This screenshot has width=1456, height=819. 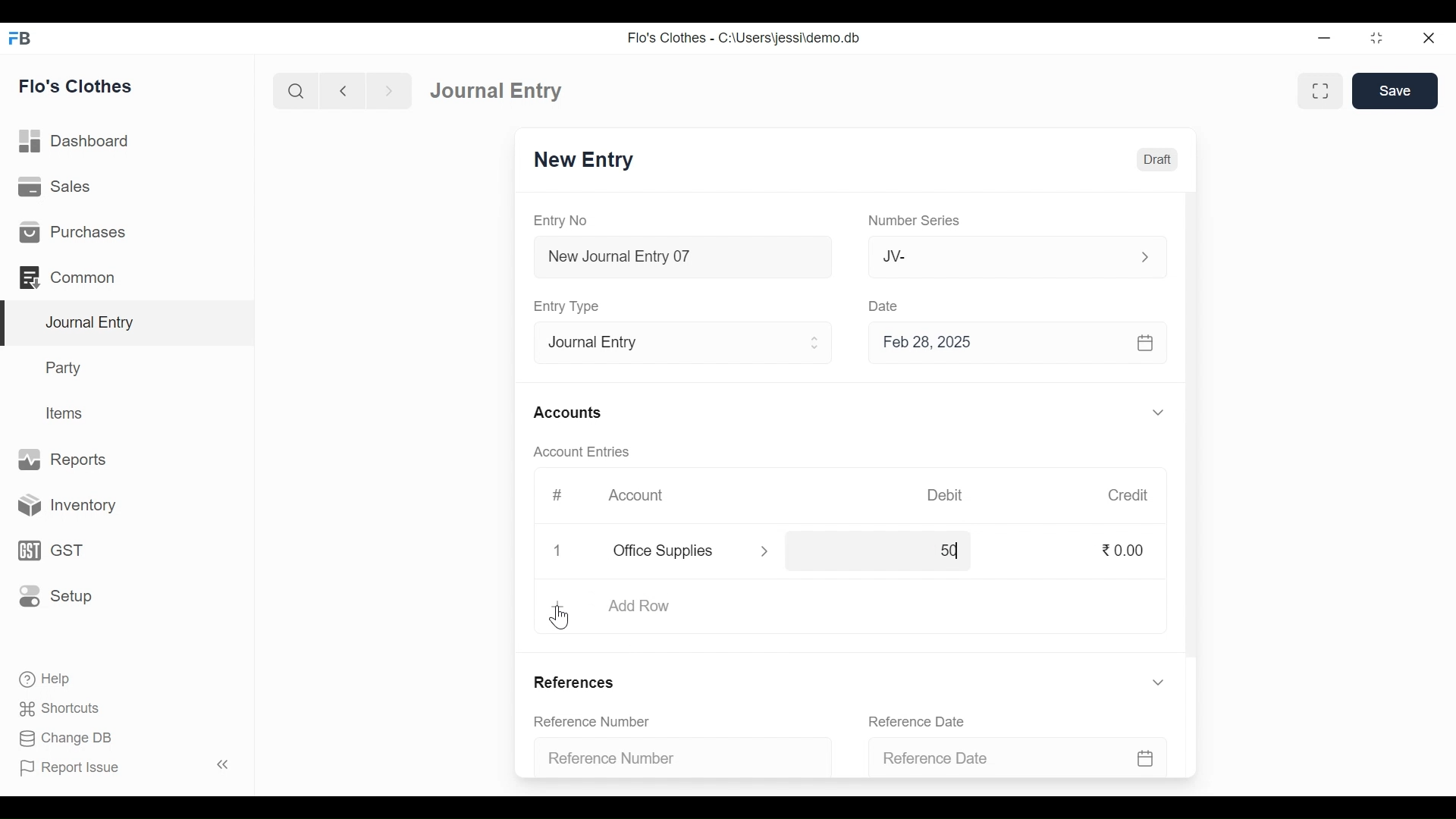 What do you see at coordinates (672, 760) in the screenshot?
I see `Reference Number` at bounding box center [672, 760].